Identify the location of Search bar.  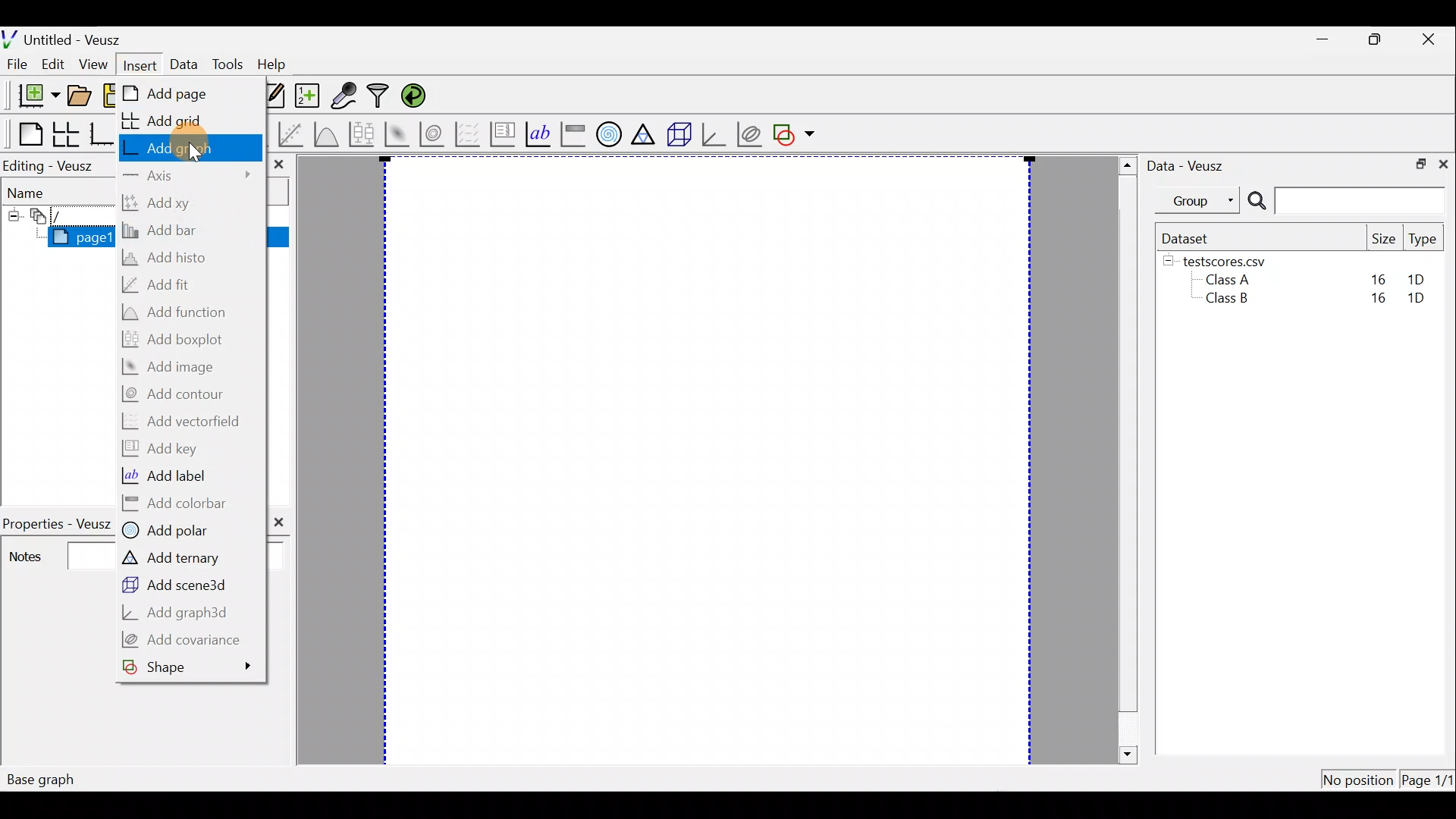
(1346, 202).